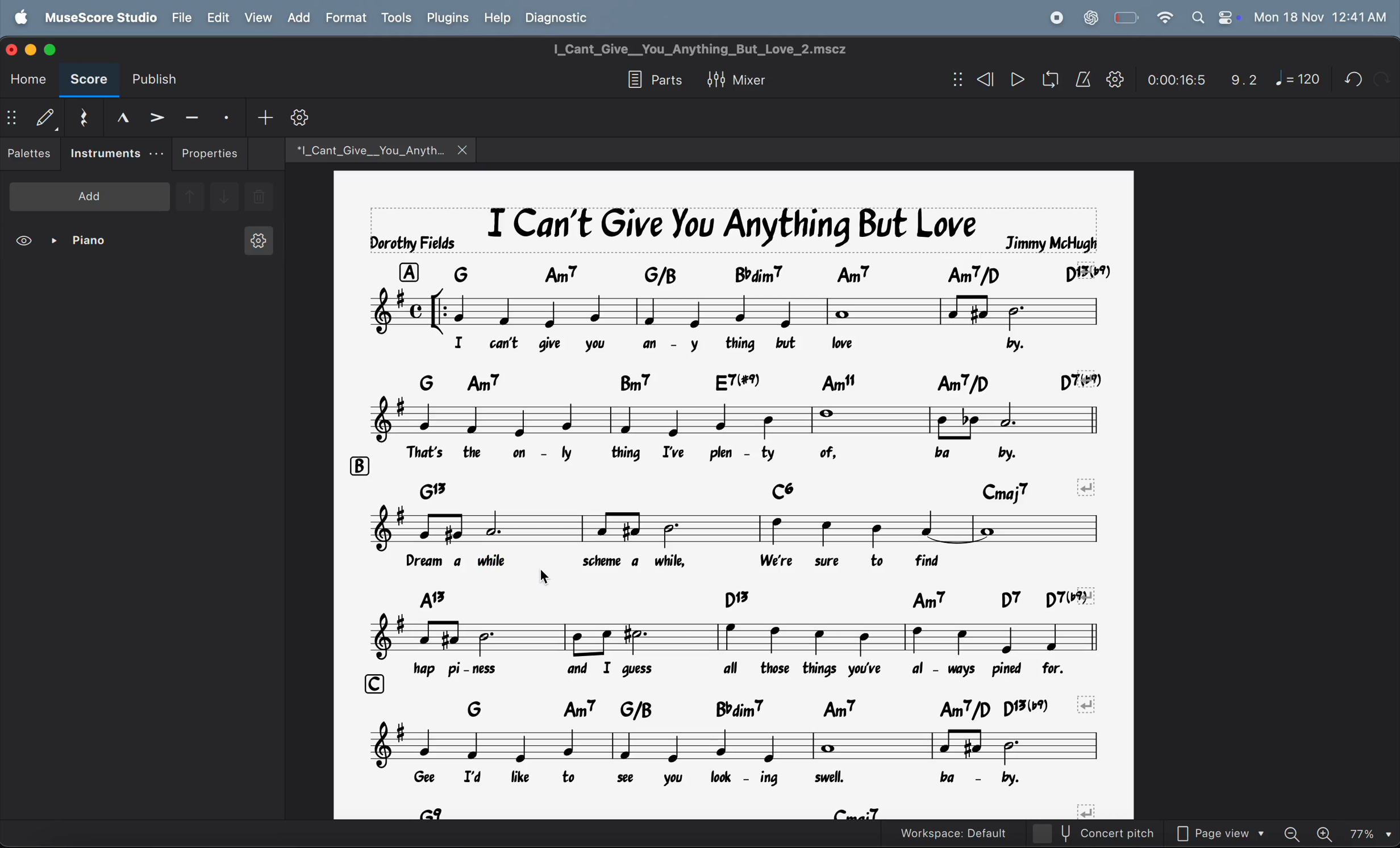  Describe the element at coordinates (1228, 18) in the screenshot. I see `control center` at that location.